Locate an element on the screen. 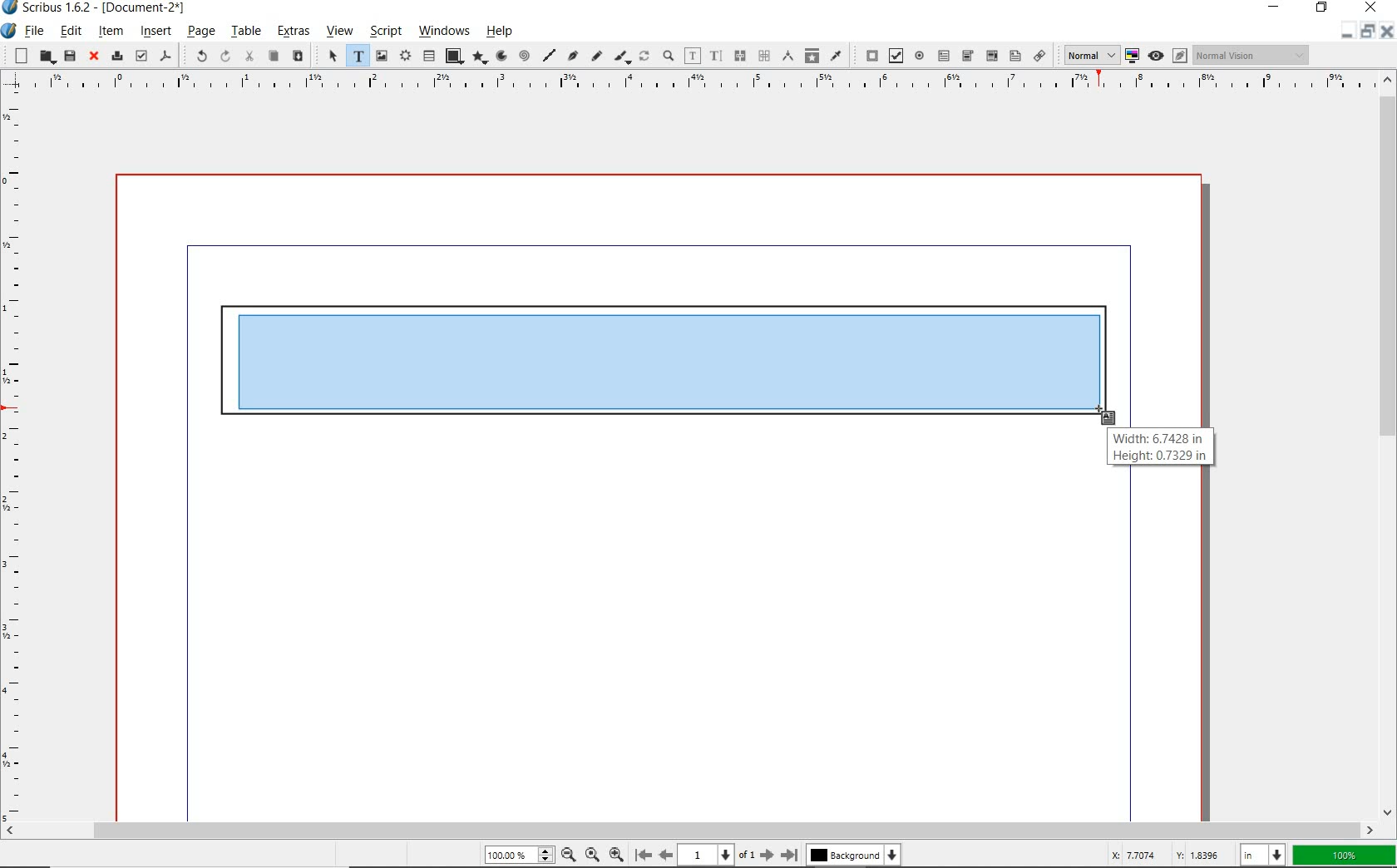  minimize is located at coordinates (1275, 7).